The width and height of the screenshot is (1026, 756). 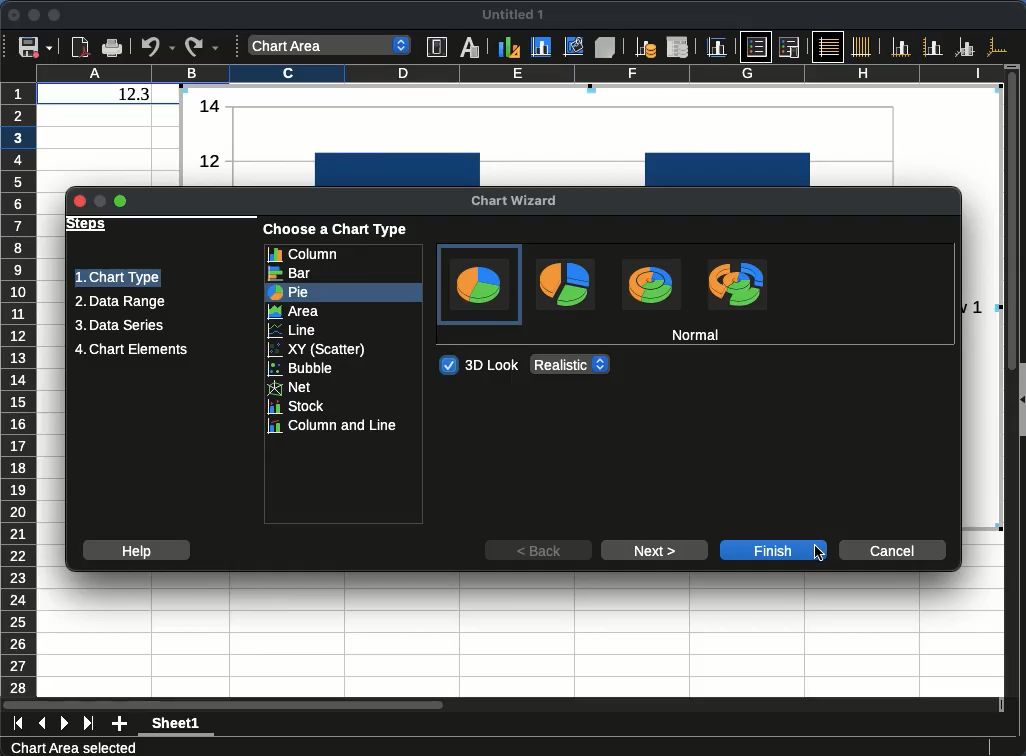 What do you see at coordinates (605, 47) in the screenshot?
I see `3D view` at bounding box center [605, 47].